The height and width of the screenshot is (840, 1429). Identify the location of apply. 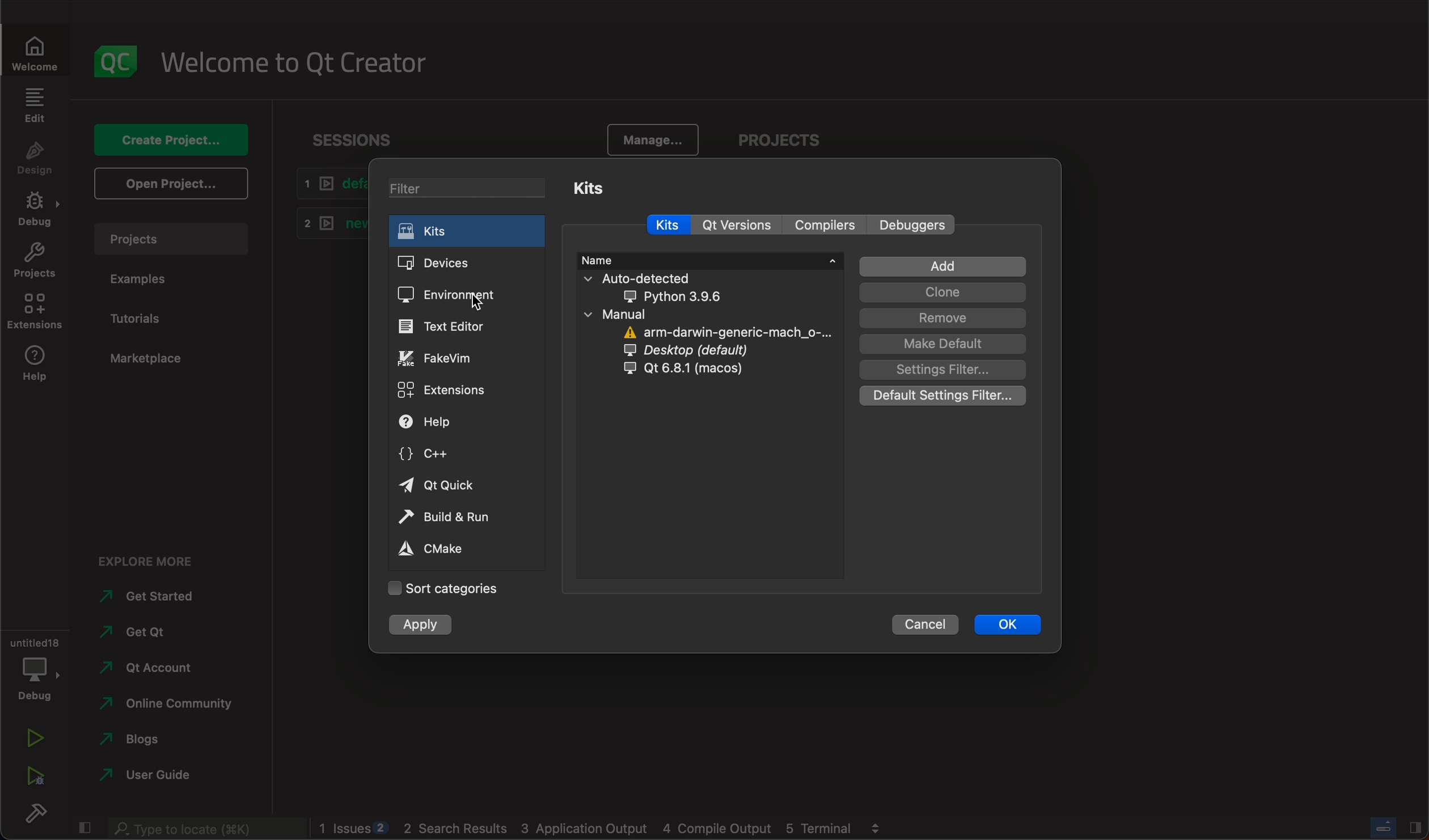
(421, 625).